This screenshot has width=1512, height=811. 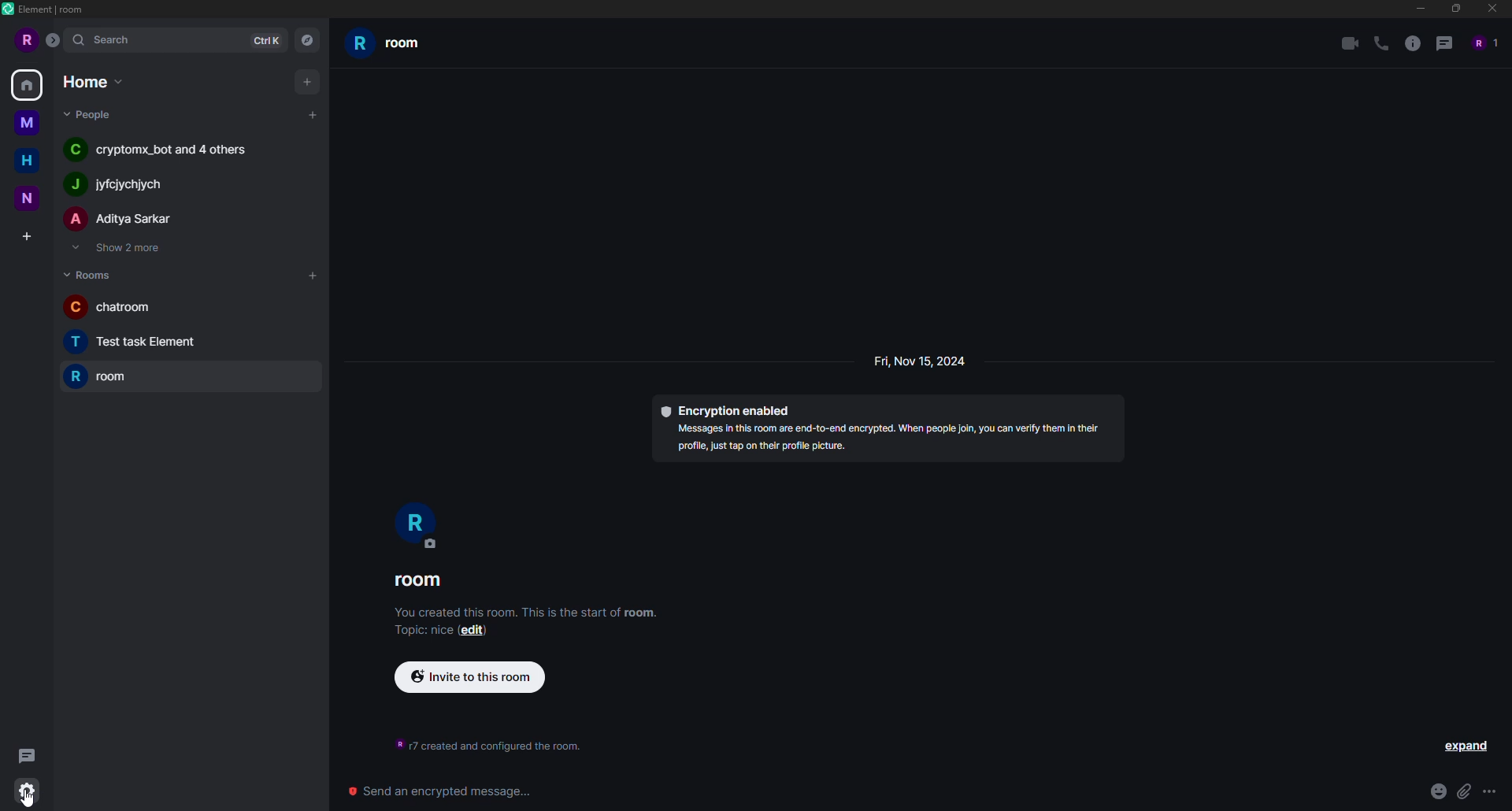 What do you see at coordinates (473, 676) in the screenshot?
I see `invite to this room` at bounding box center [473, 676].